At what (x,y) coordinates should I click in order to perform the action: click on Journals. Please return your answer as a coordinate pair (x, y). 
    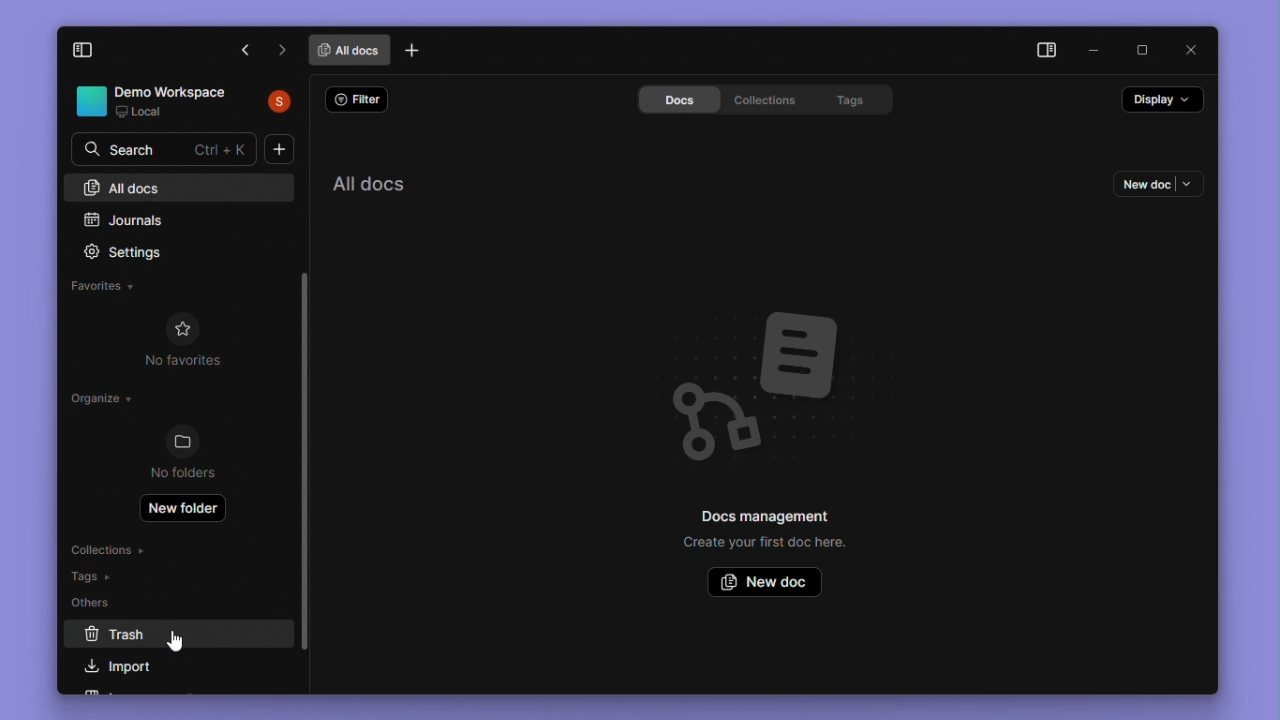
    Looking at the image, I should click on (127, 219).